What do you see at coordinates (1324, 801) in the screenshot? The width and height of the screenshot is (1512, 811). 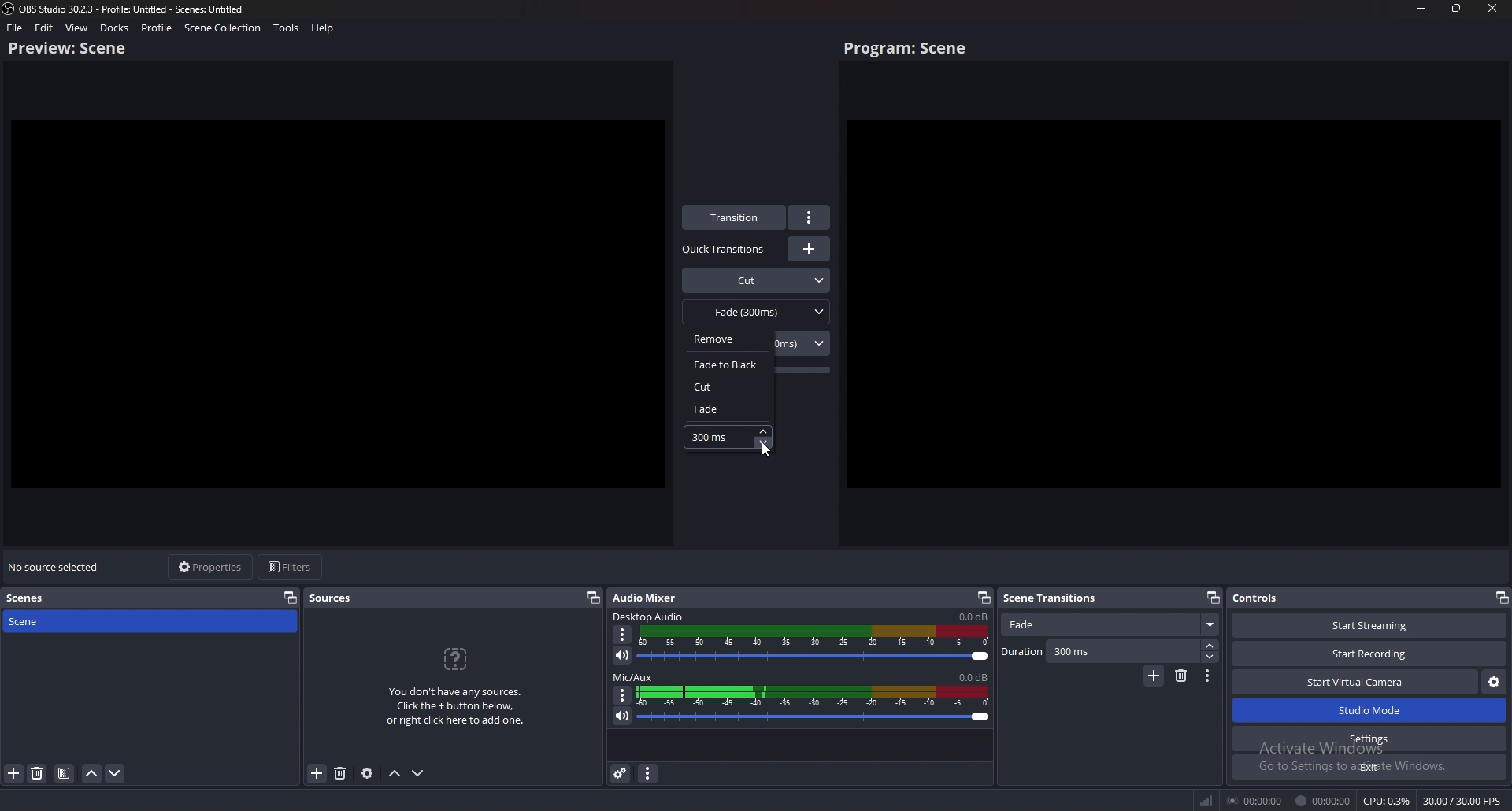 I see ` 00:00:00` at bounding box center [1324, 801].